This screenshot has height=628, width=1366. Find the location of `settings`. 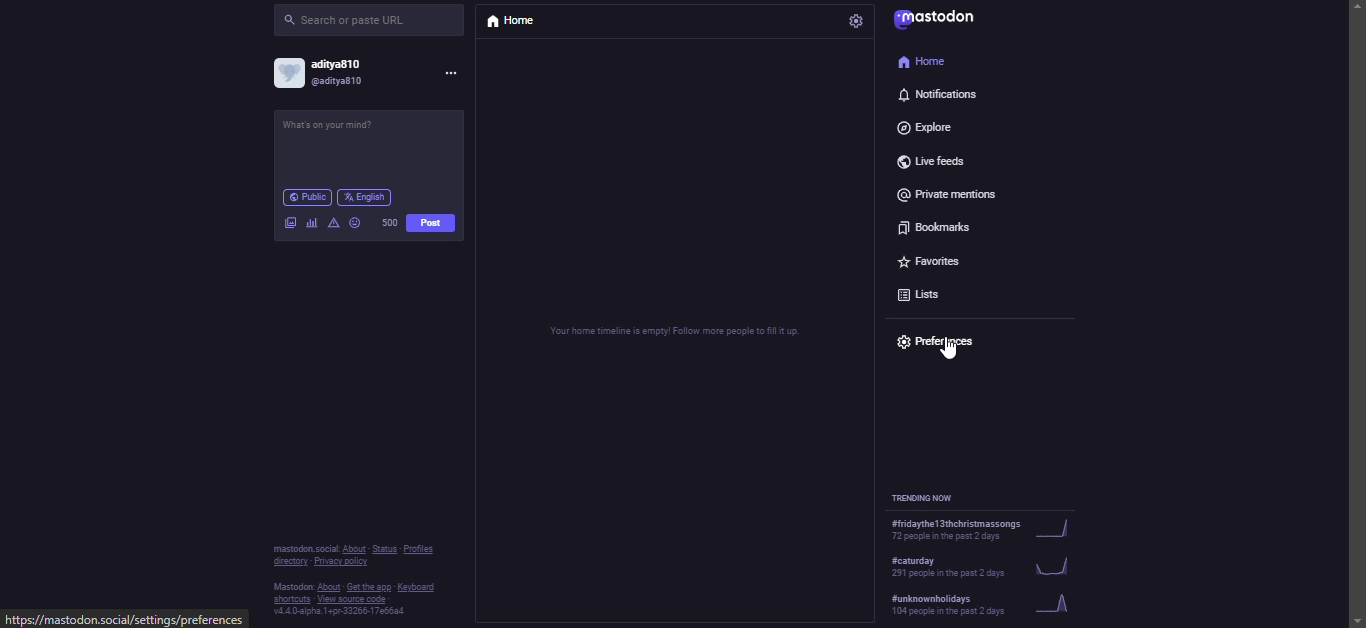

settings is located at coordinates (858, 23).